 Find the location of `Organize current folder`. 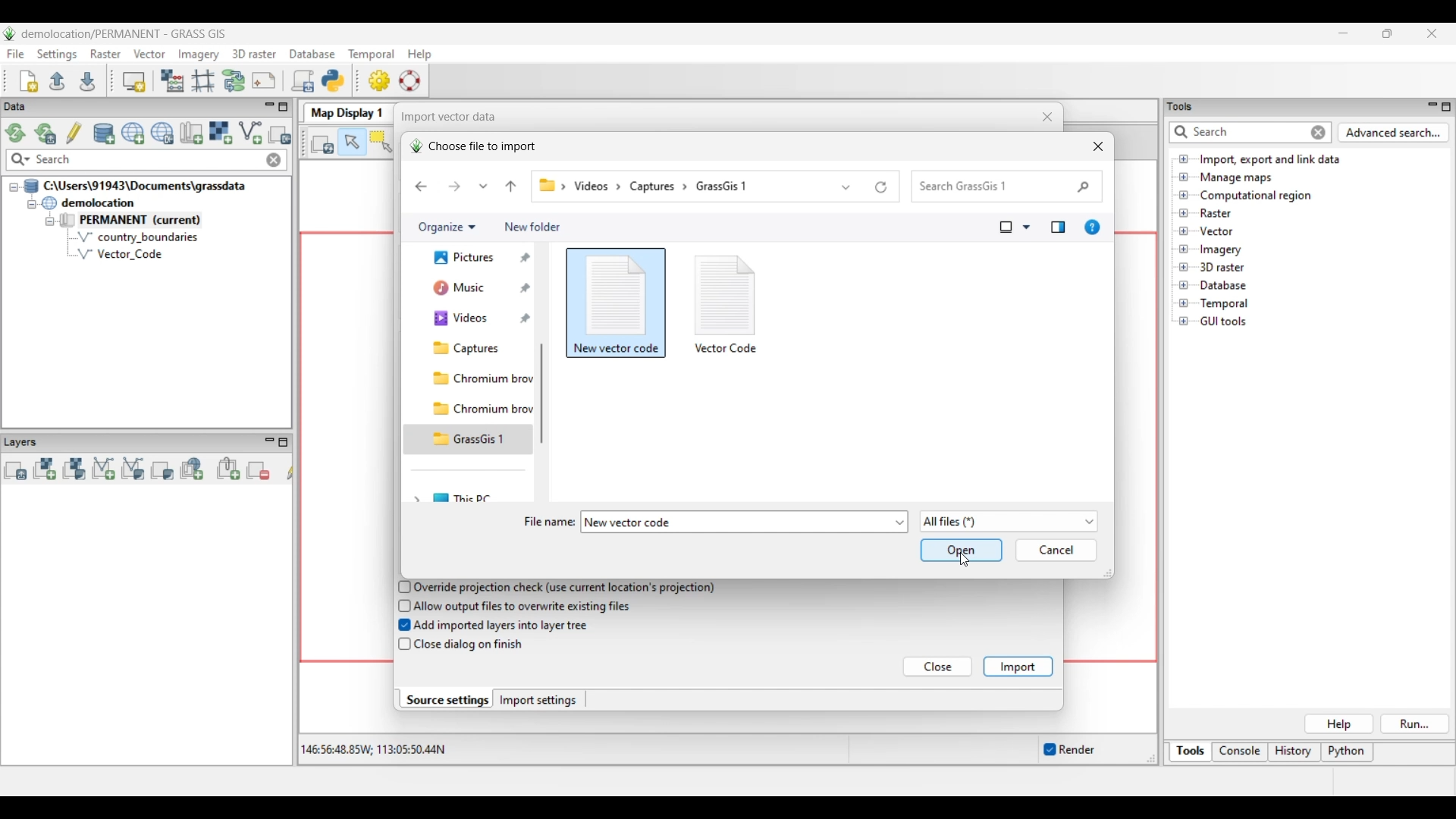

Organize current folder is located at coordinates (446, 227).